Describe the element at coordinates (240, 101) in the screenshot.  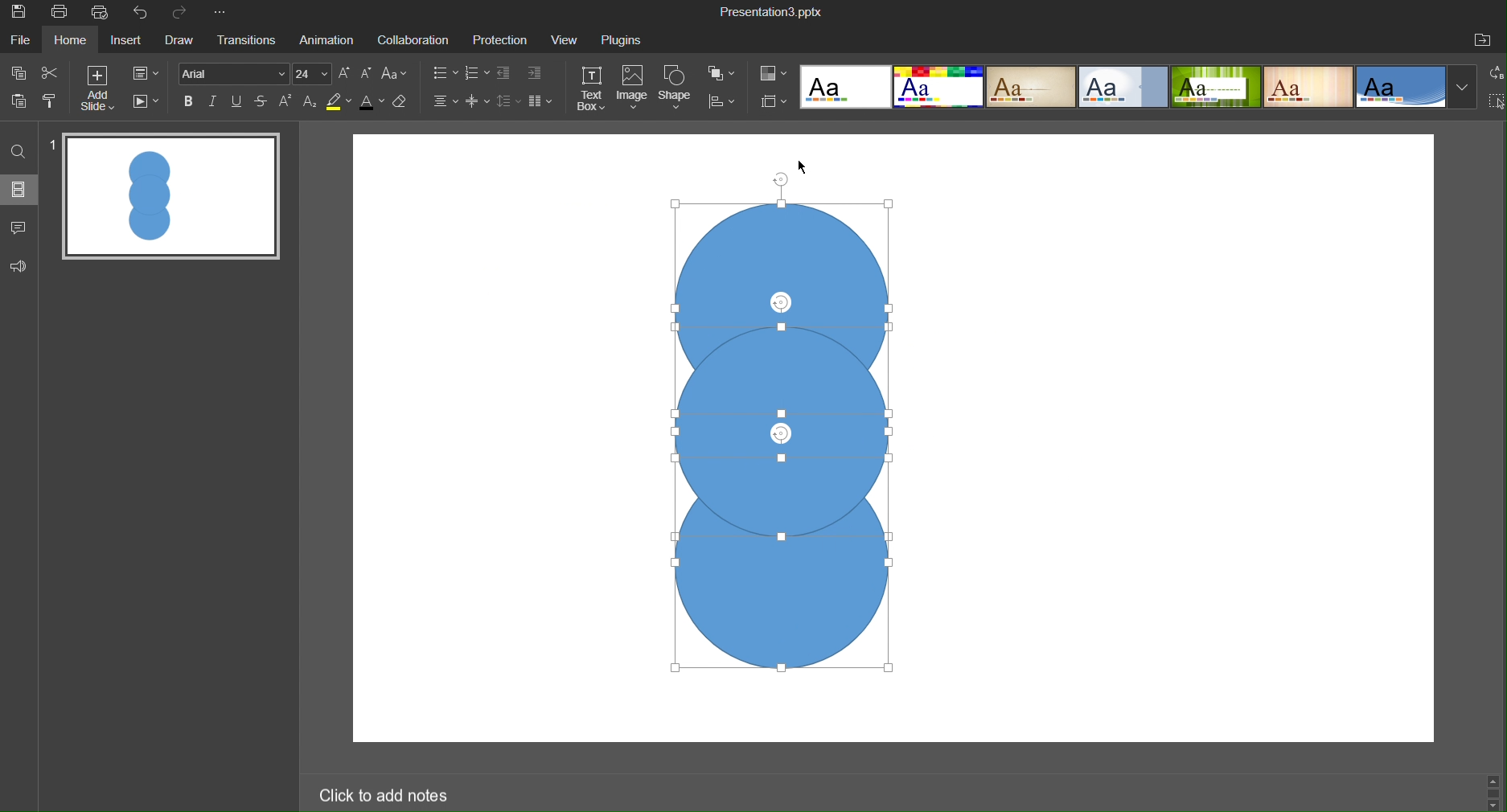
I see `Underline` at that location.